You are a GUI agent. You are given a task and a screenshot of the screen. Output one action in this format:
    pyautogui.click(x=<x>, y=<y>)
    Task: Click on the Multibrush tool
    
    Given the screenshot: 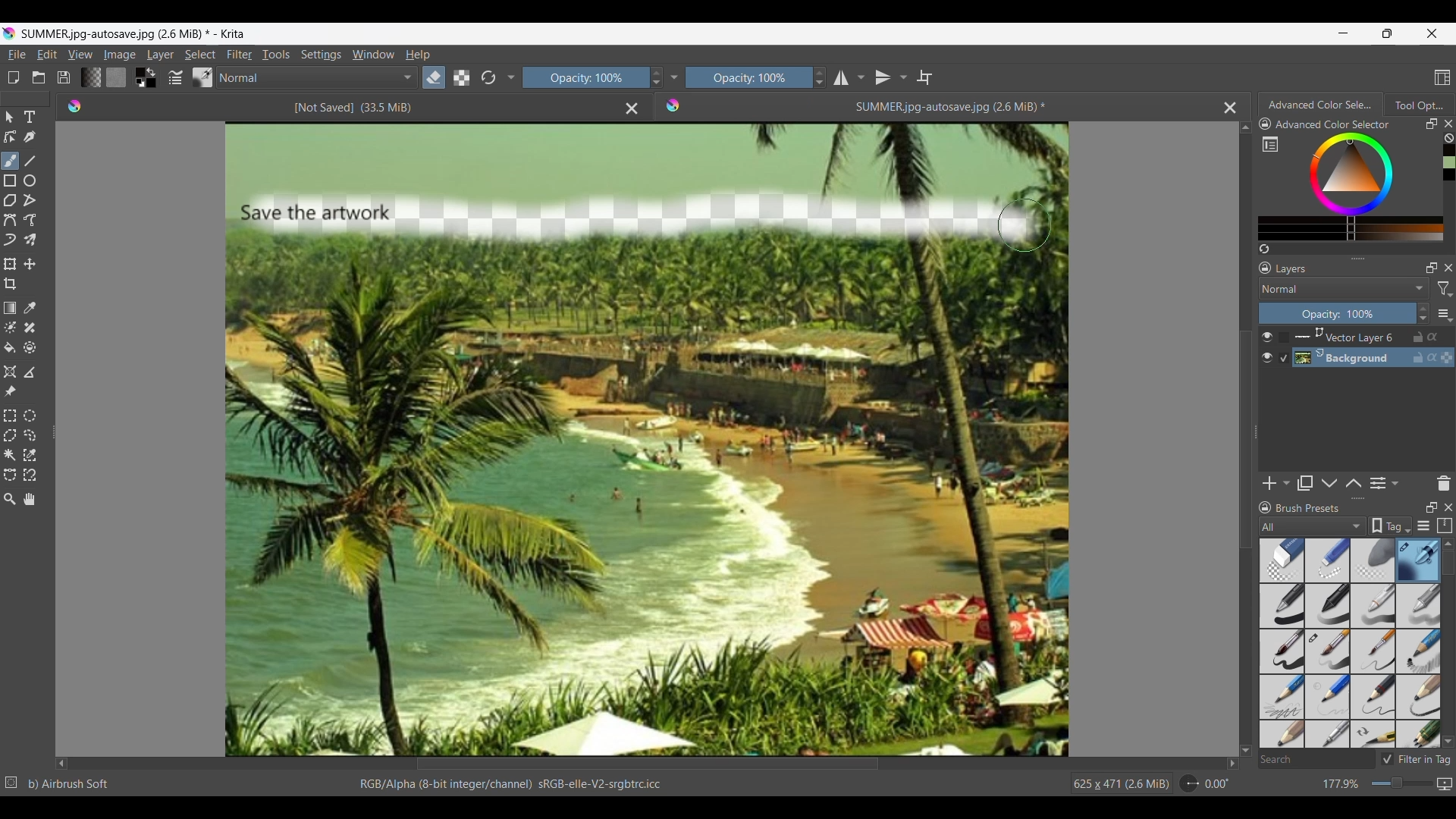 What is the action you would take?
    pyautogui.click(x=30, y=240)
    